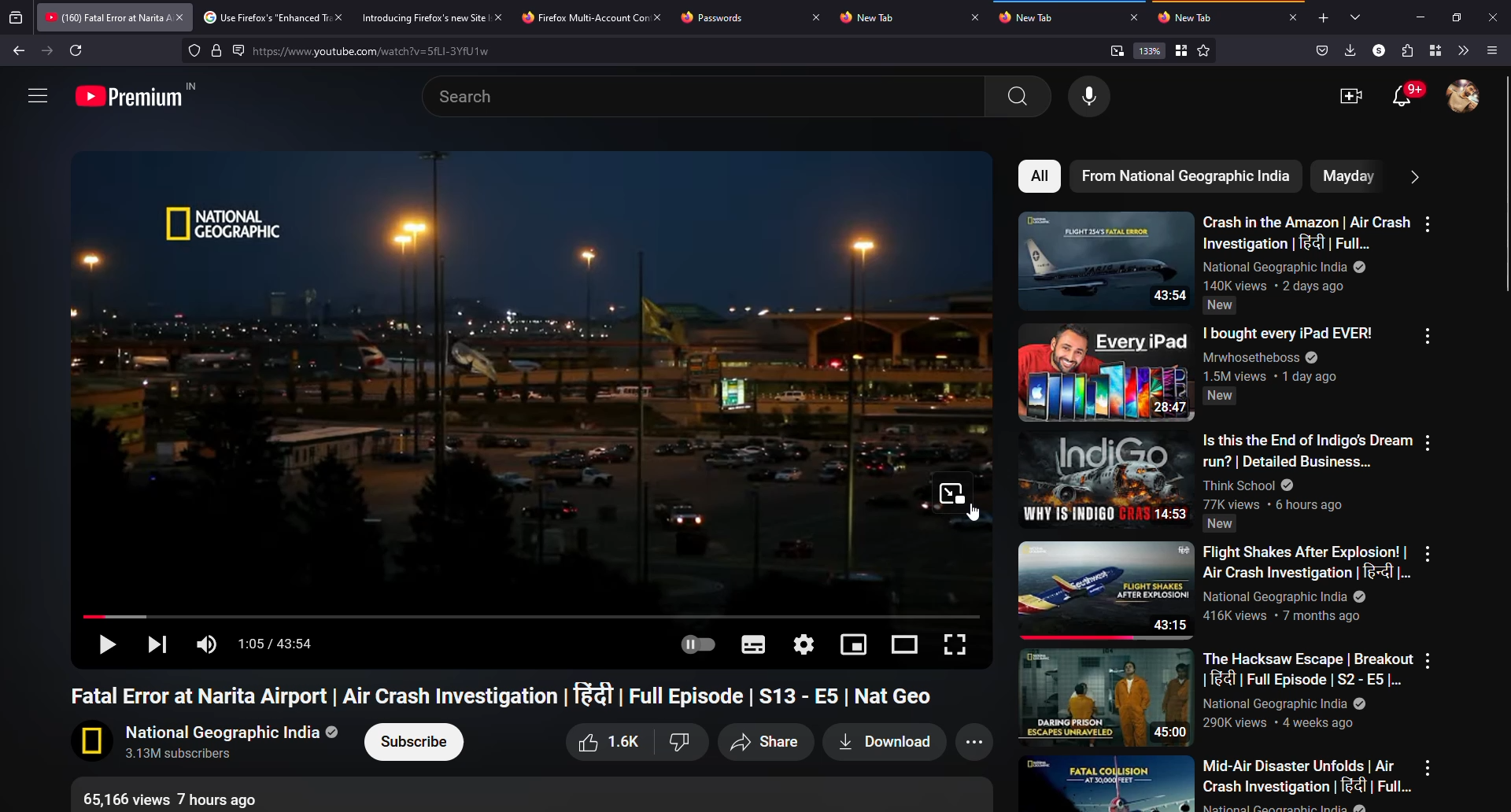 This screenshot has width=1511, height=812. I want to click on tab, so click(1191, 18).